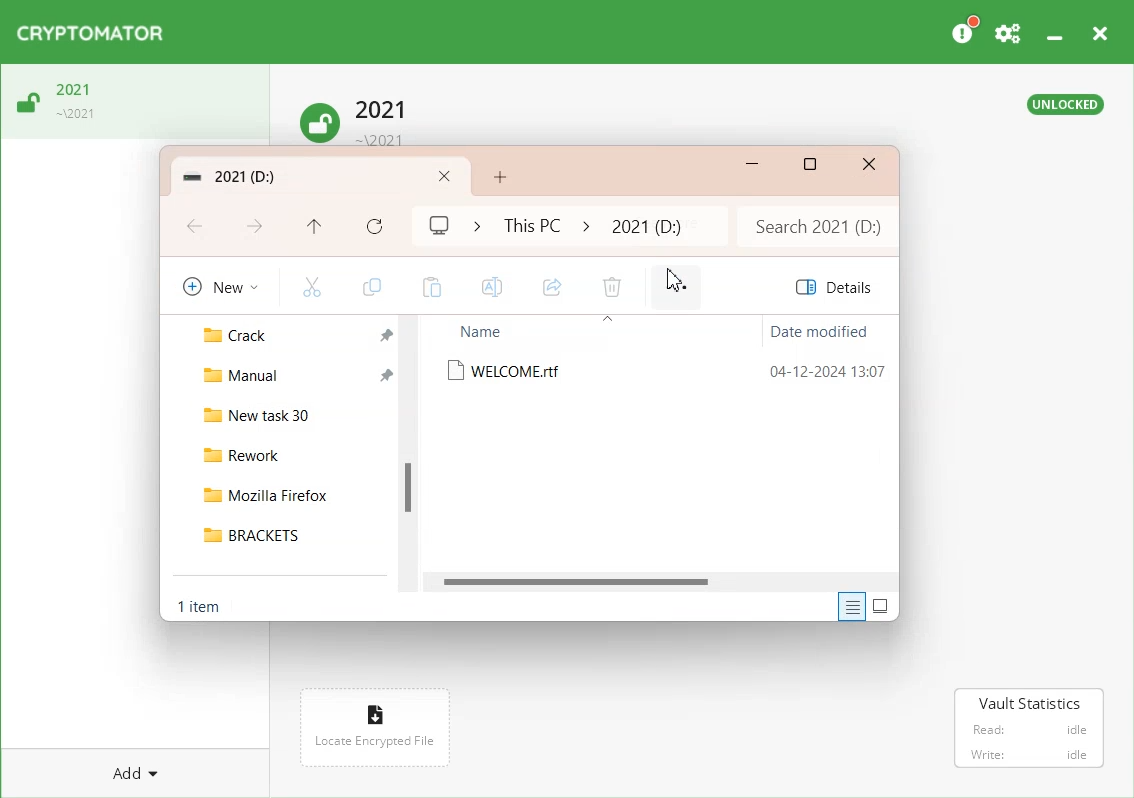  Describe the element at coordinates (499, 176) in the screenshot. I see `Add New Folder` at that location.